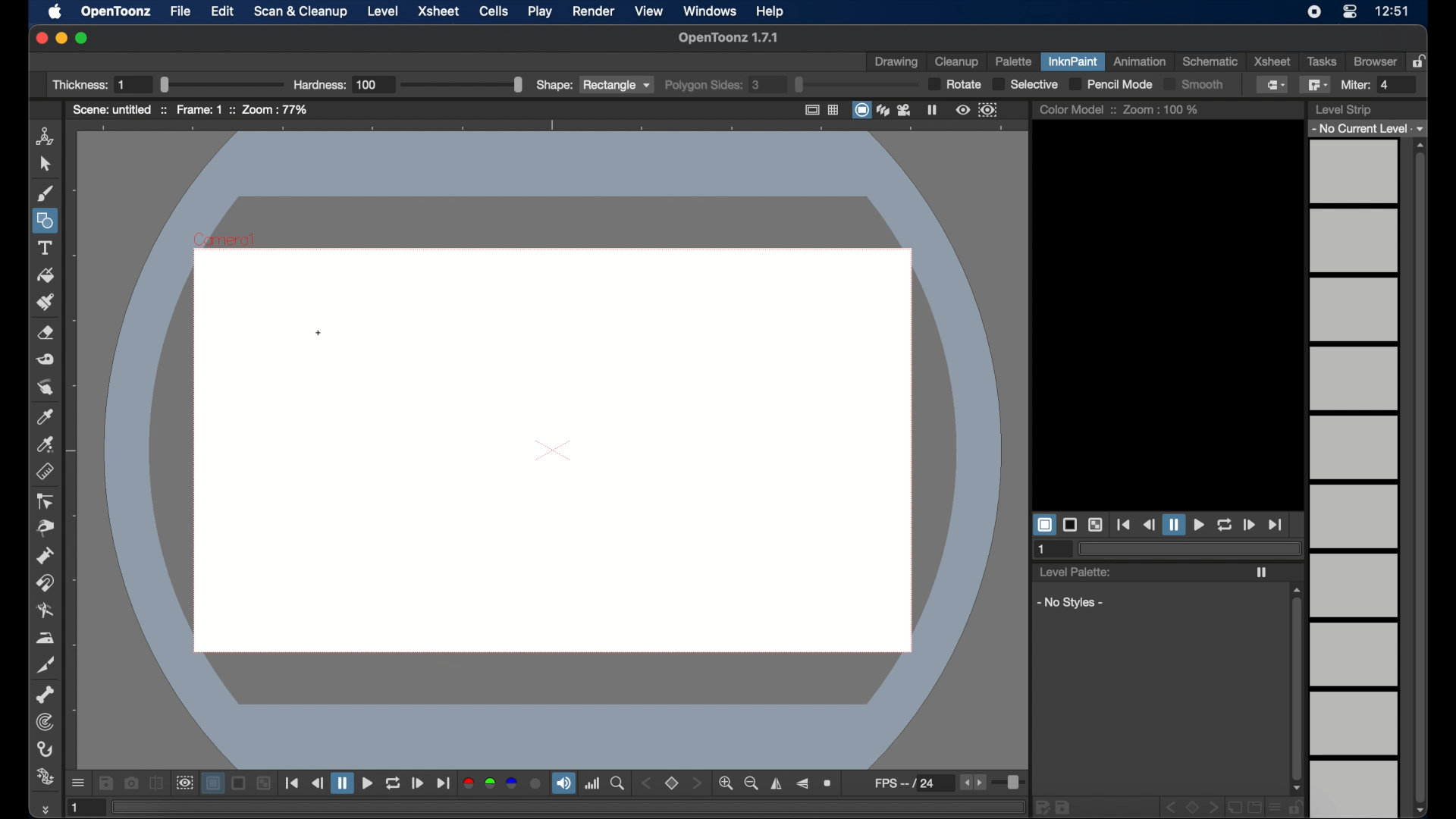  I want to click on text, so click(45, 248).